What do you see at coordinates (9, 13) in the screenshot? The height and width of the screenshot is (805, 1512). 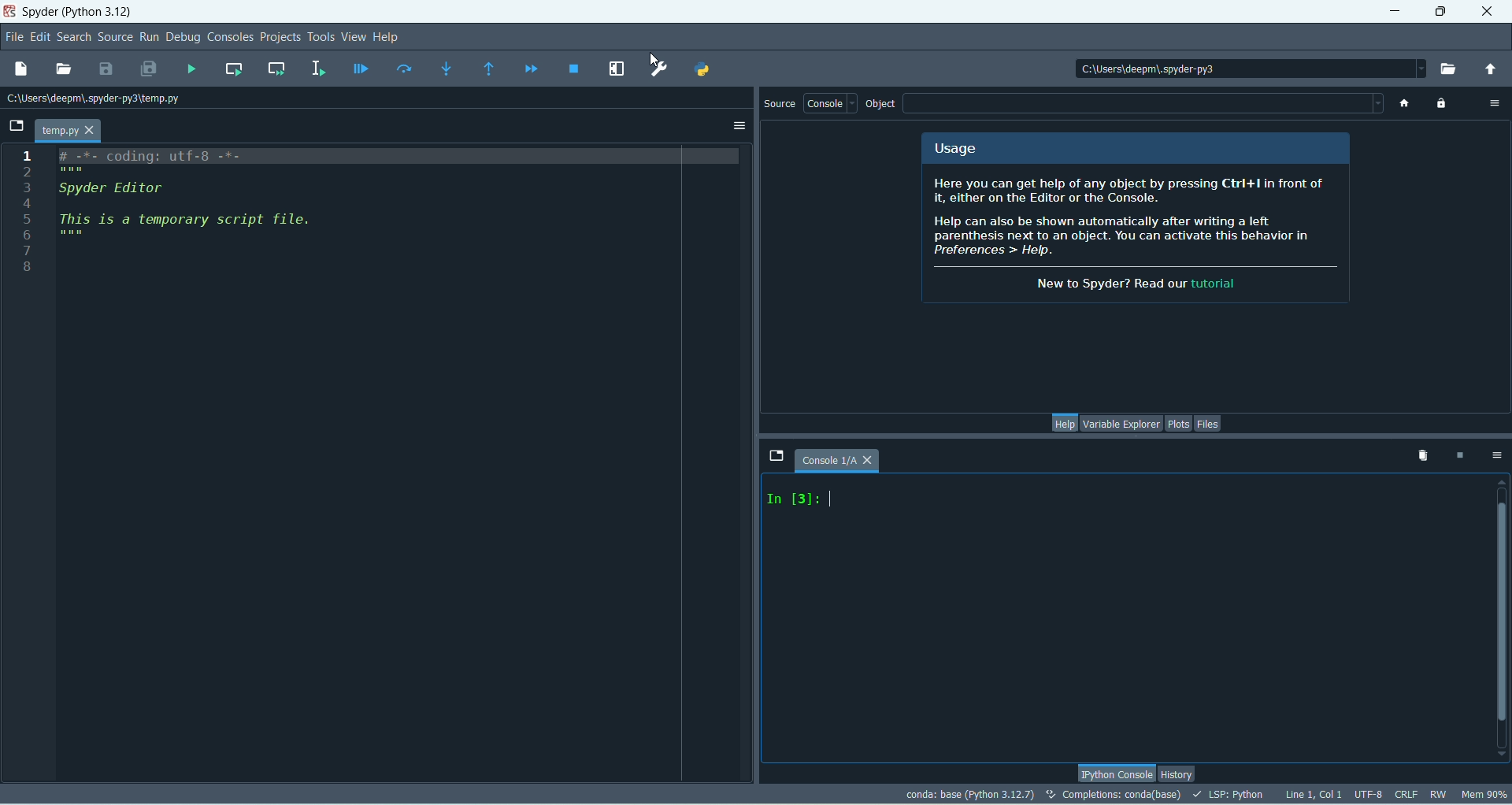 I see `logo` at bounding box center [9, 13].